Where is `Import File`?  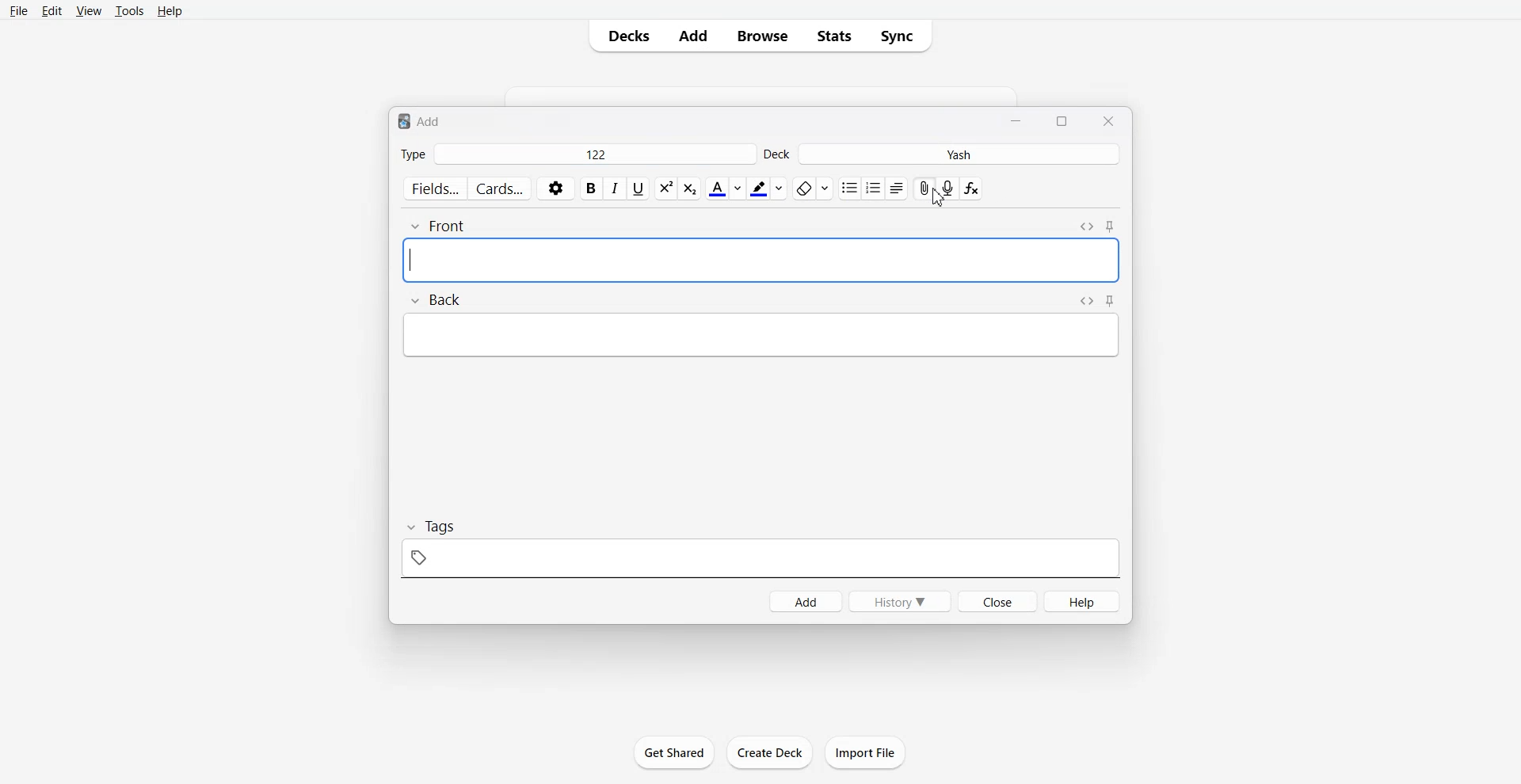 Import File is located at coordinates (866, 752).